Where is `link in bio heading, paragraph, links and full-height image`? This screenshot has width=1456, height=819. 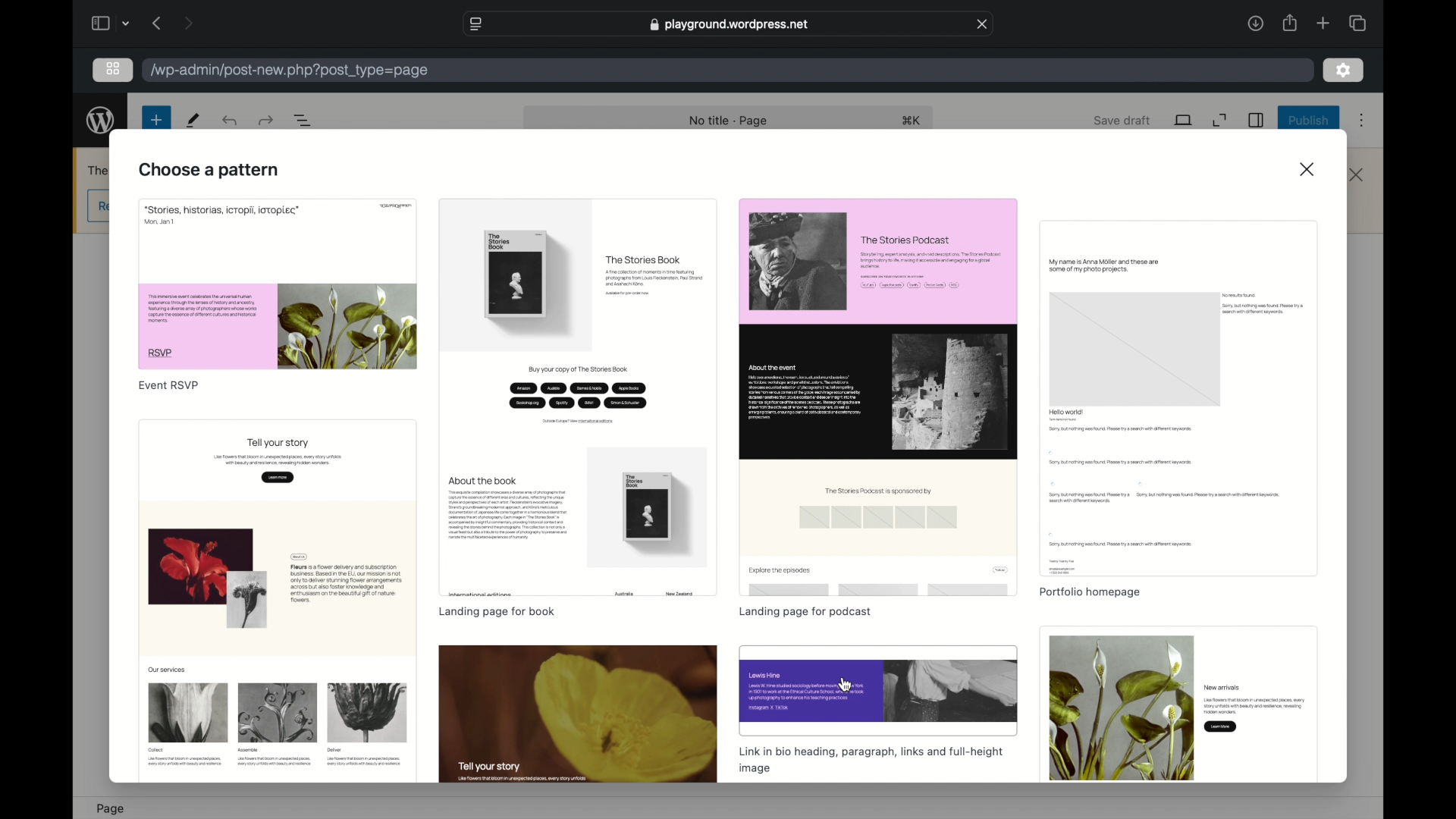
link in bio heading, paragraph, links and full-height image is located at coordinates (872, 761).